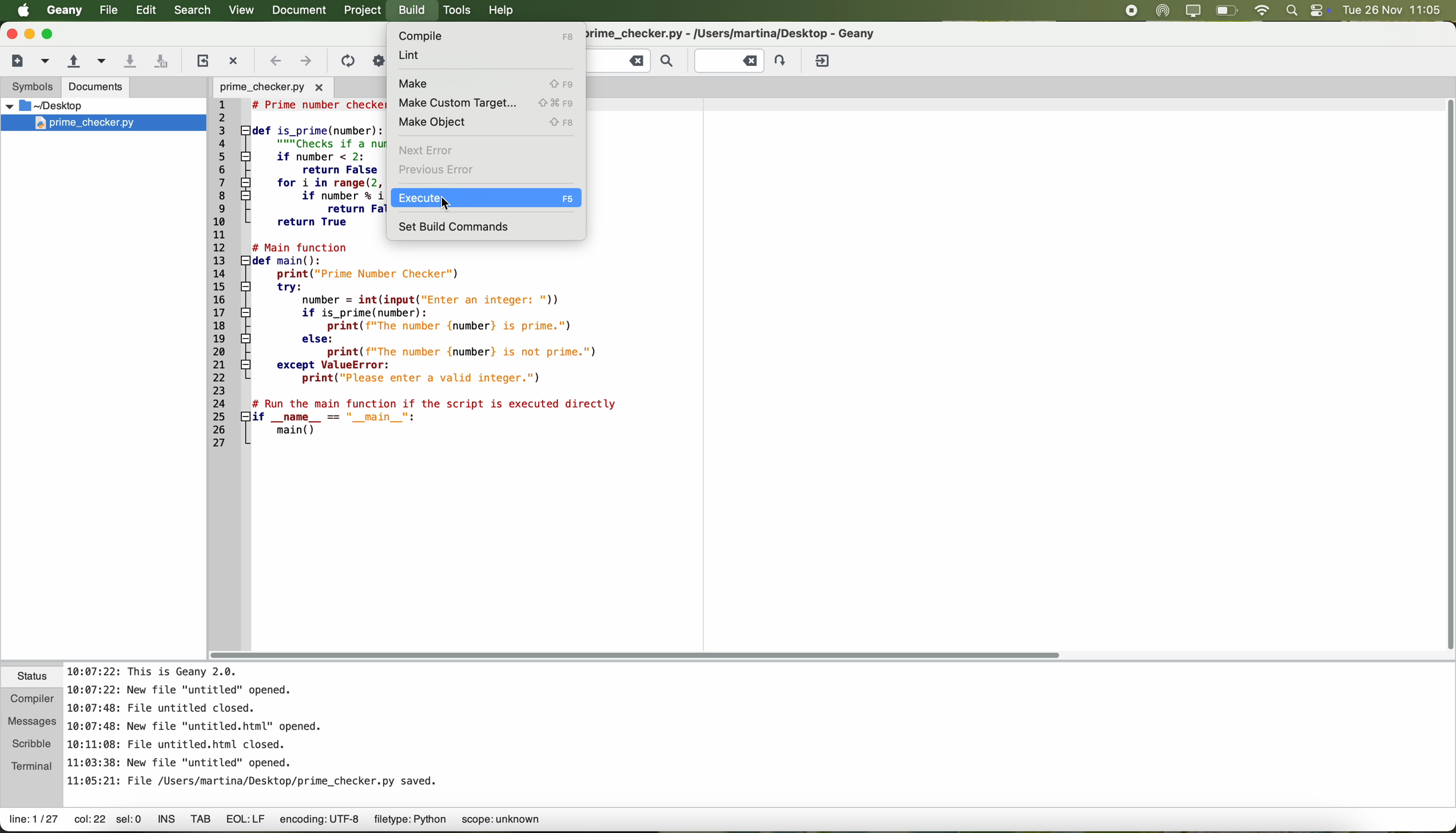  What do you see at coordinates (293, 822) in the screenshot?
I see `data` at bounding box center [293, 822].